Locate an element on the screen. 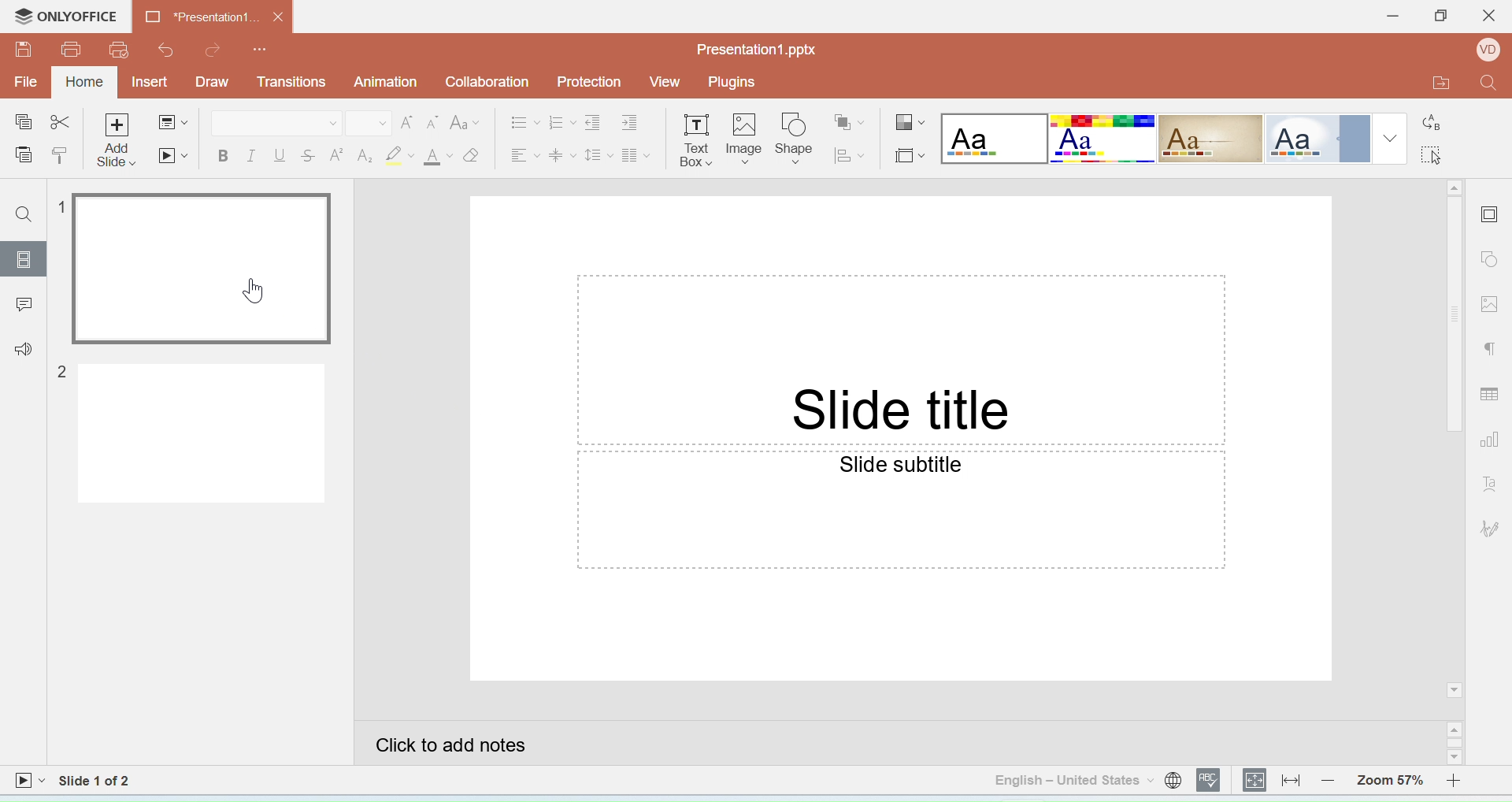 The width and height of the screenshot is (1512, 802). Transitions is located at coordinates (291, 82).